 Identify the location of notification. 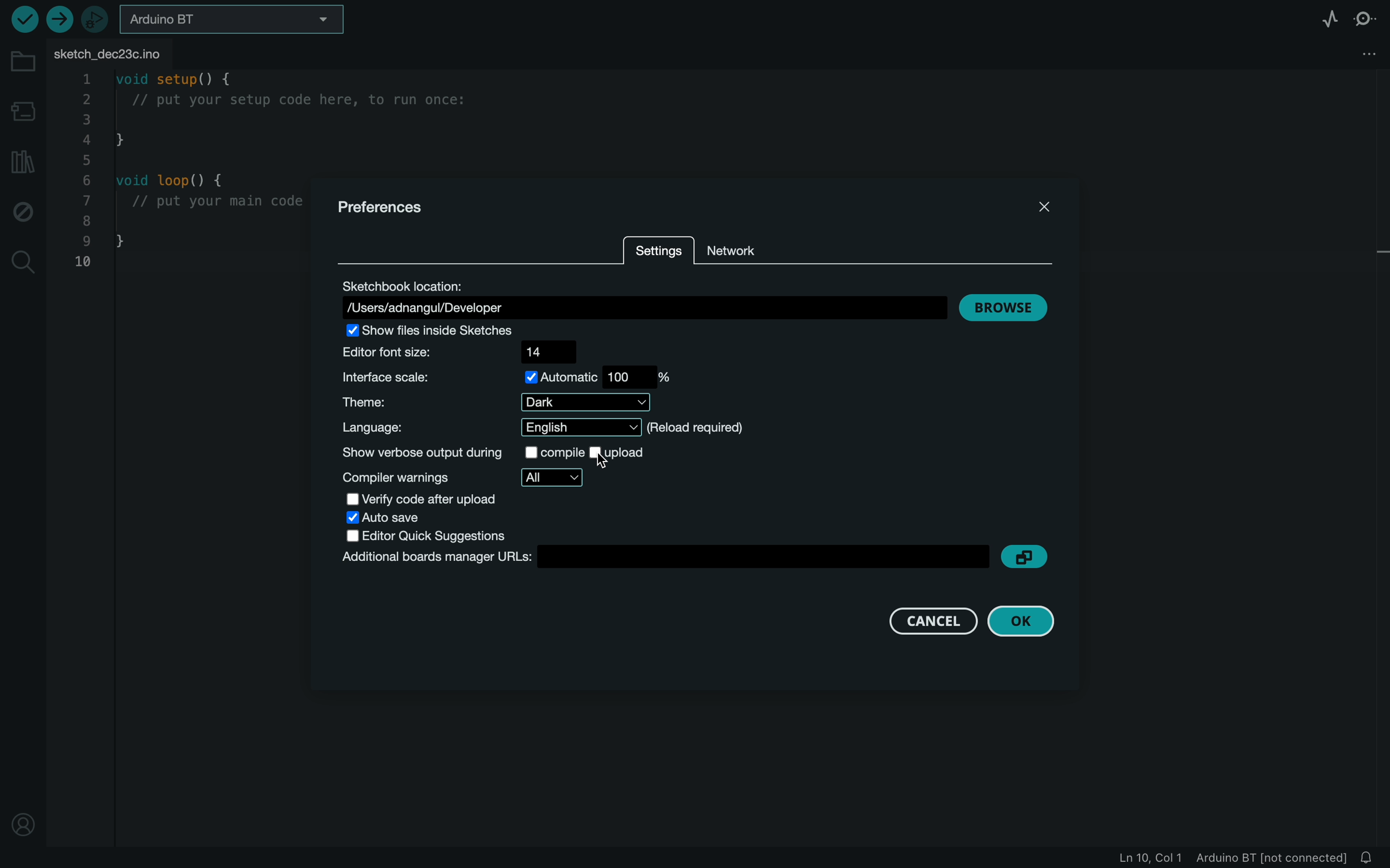
(1372, 858).